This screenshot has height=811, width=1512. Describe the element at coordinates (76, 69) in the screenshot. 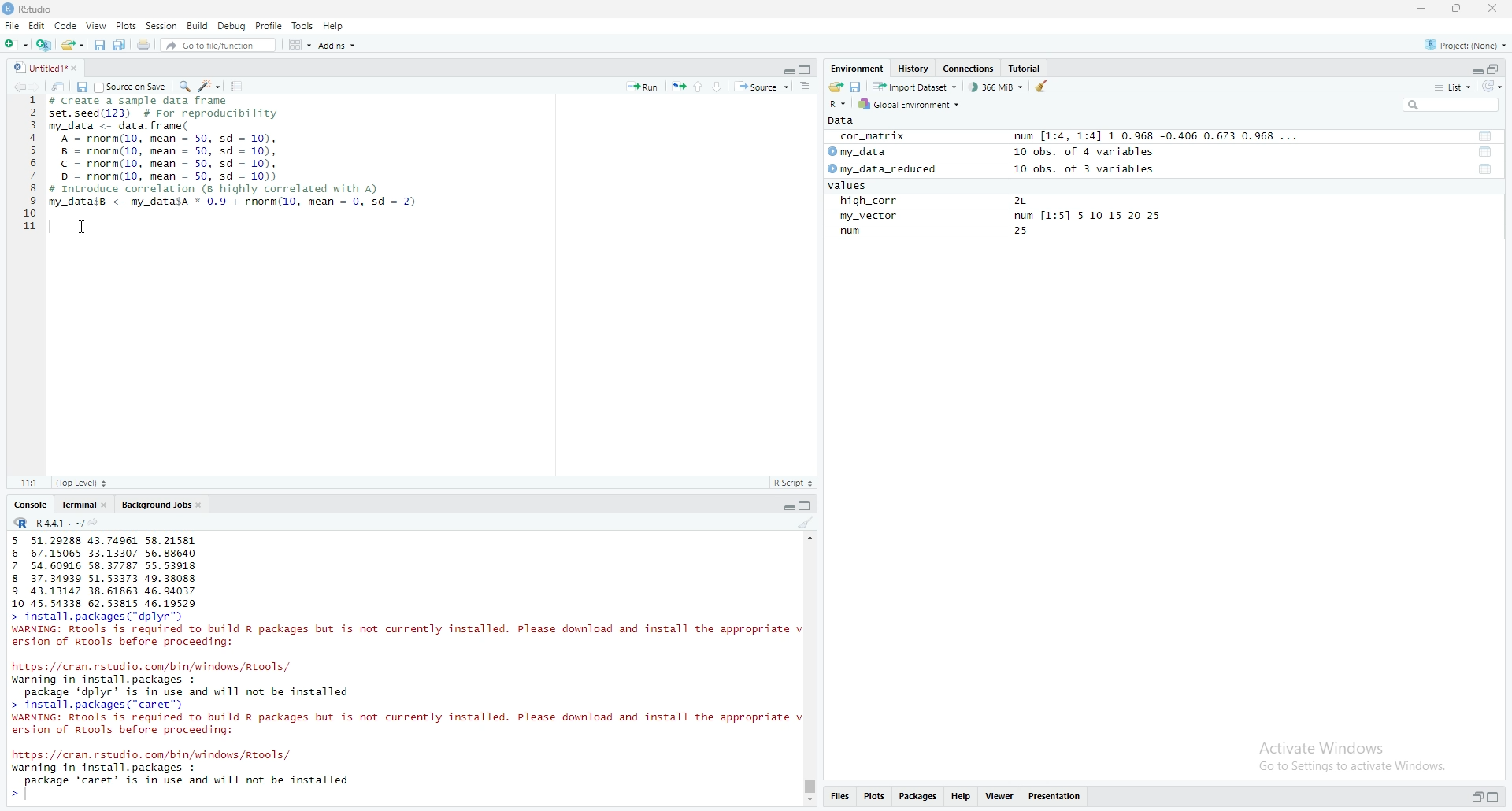

I see `close` at that location.